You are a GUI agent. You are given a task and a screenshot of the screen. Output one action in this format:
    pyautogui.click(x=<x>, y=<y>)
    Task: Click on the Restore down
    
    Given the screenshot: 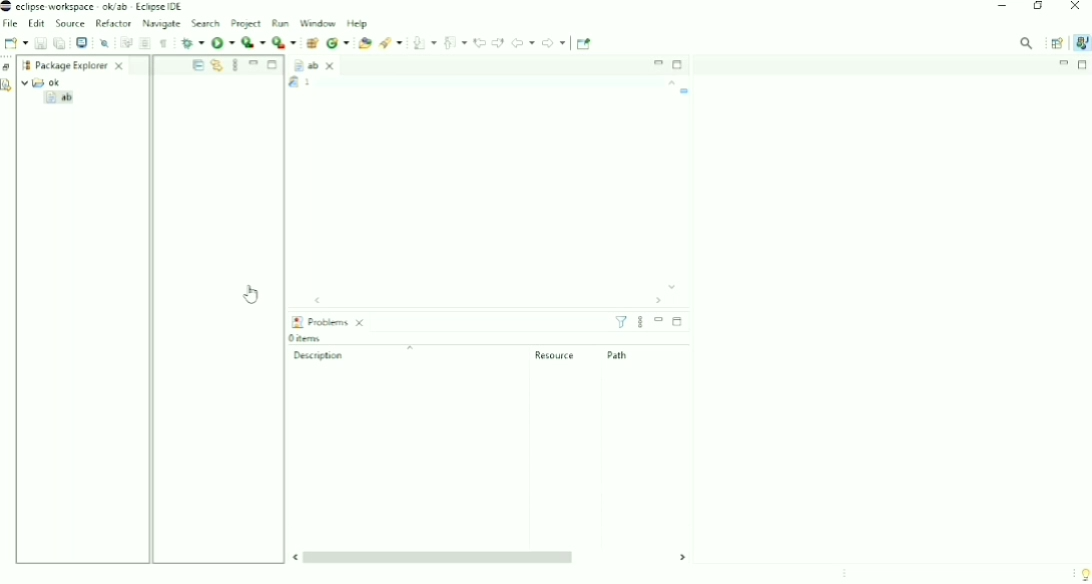 What is the action you would take?
    pyautogui.click(x=1037, y=7)
    